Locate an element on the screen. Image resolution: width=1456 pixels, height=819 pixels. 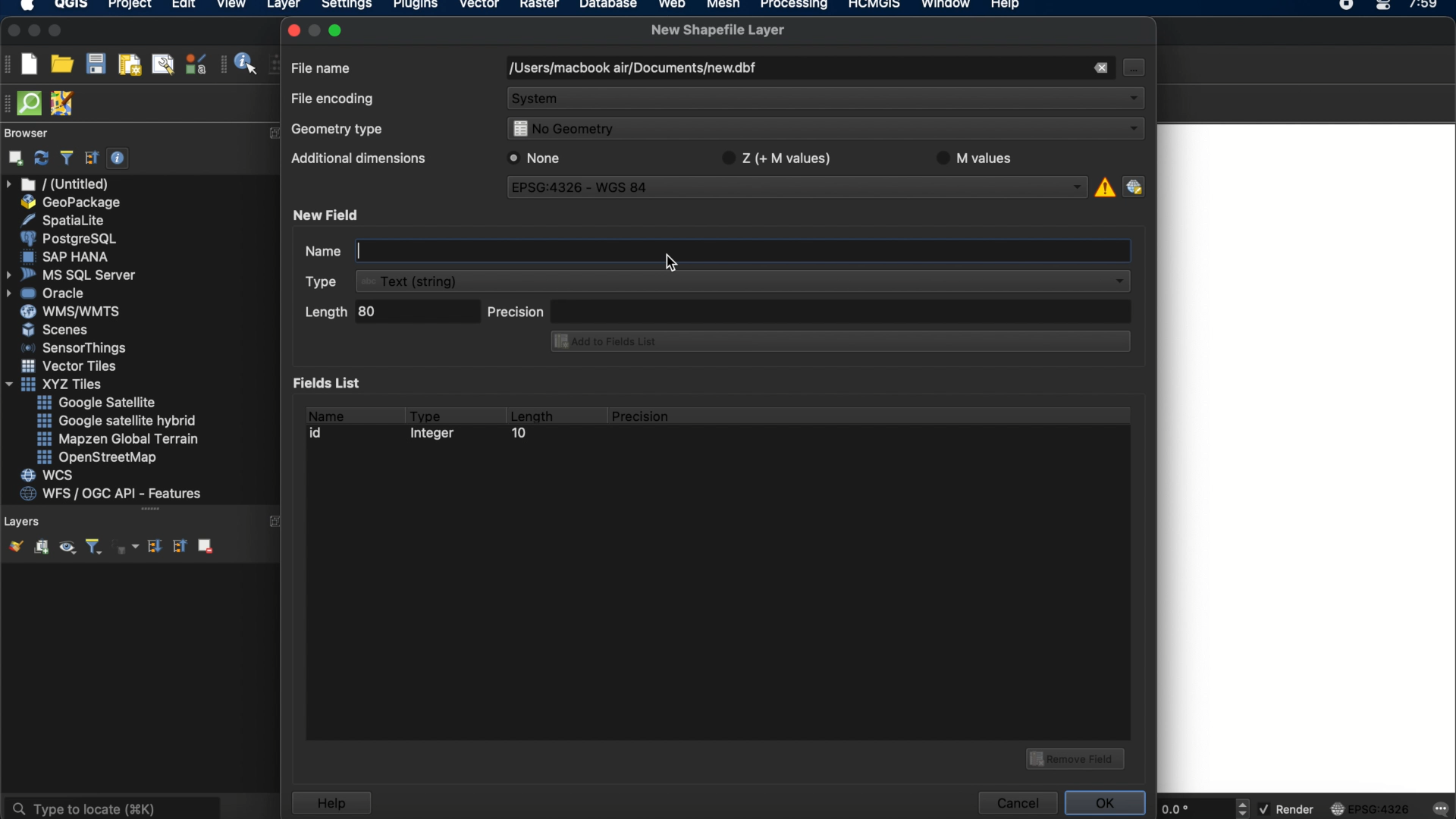
QuickOSM is located at coordinates (33, 103).